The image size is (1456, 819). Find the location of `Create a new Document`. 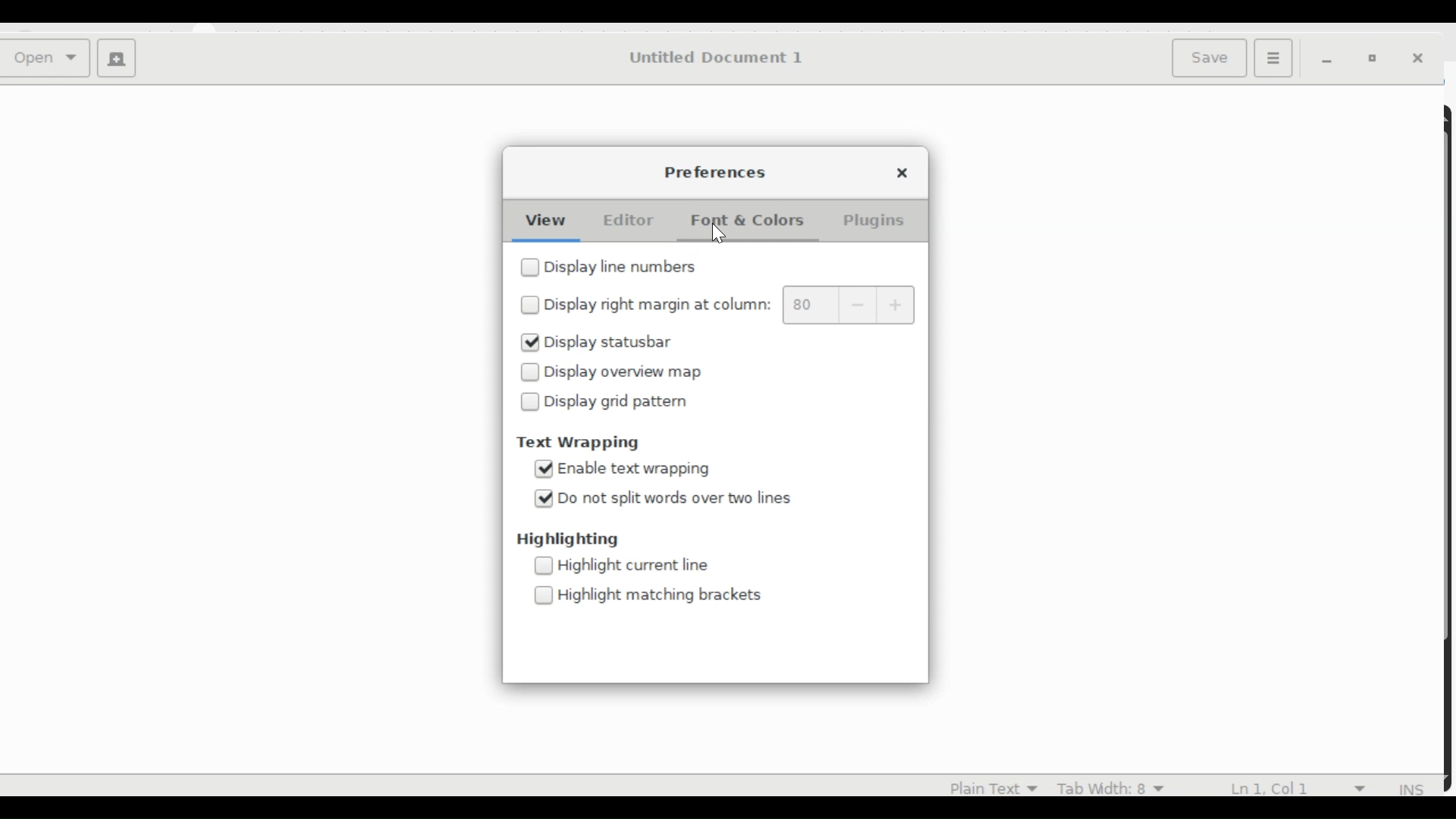

Create a new Document is located at coordinates (116, 60).